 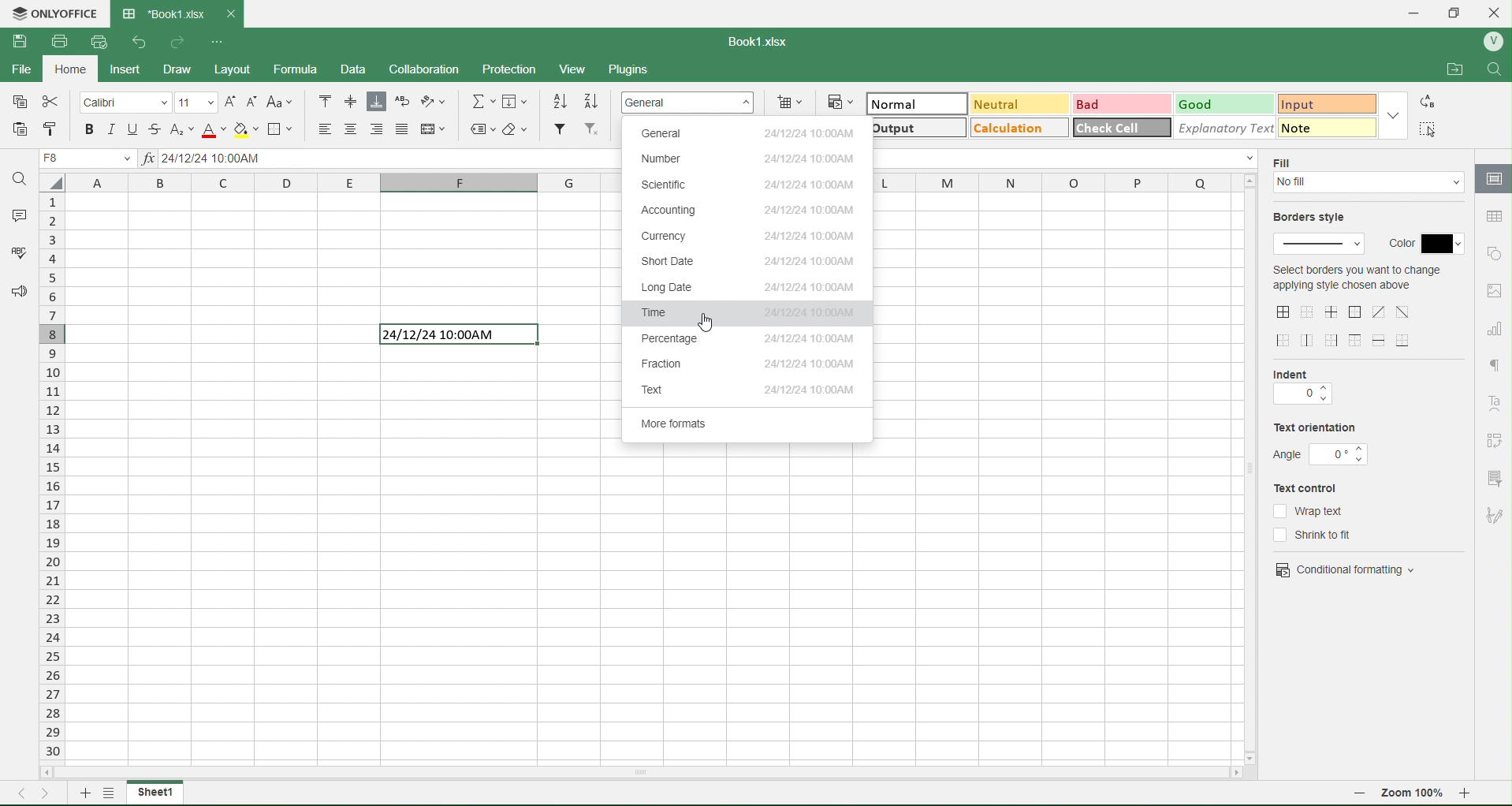 I want to click on *Book1.xlsx, so click(x=162, y=9).